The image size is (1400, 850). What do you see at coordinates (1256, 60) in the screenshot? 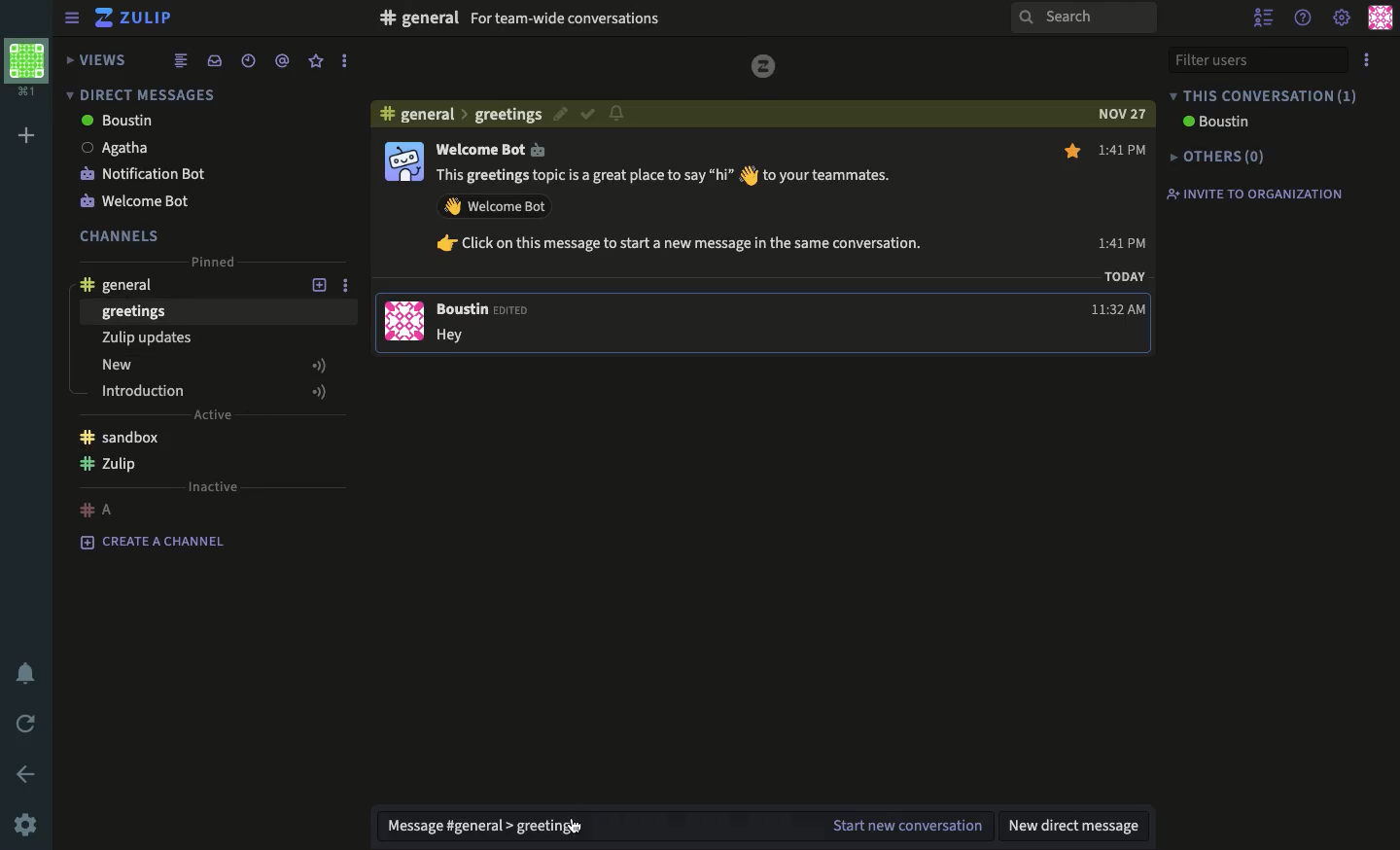
I see `filter users` at bounding box center [1256, 60].